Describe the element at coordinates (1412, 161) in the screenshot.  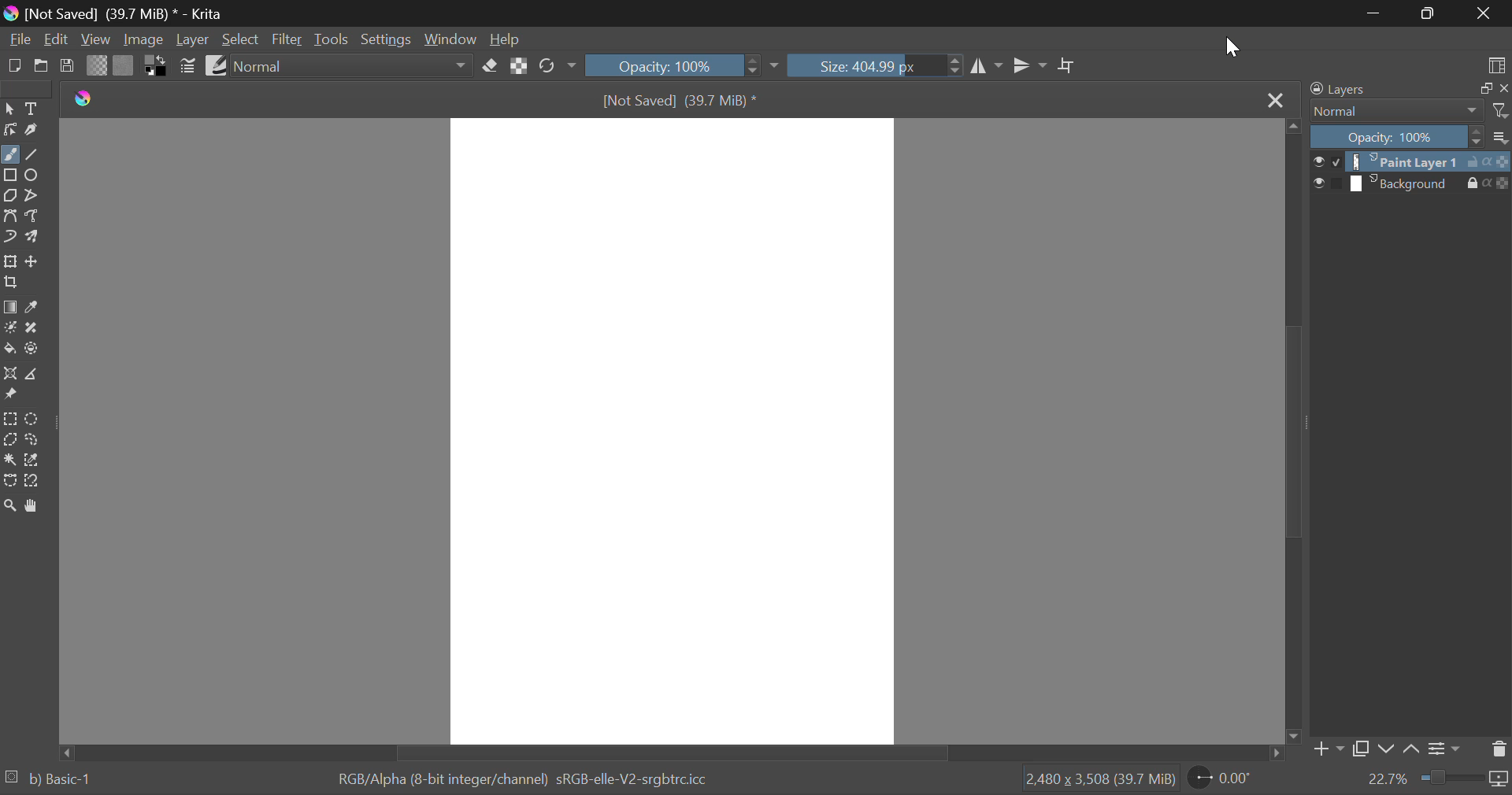
I see `Paint Layer` at that location.